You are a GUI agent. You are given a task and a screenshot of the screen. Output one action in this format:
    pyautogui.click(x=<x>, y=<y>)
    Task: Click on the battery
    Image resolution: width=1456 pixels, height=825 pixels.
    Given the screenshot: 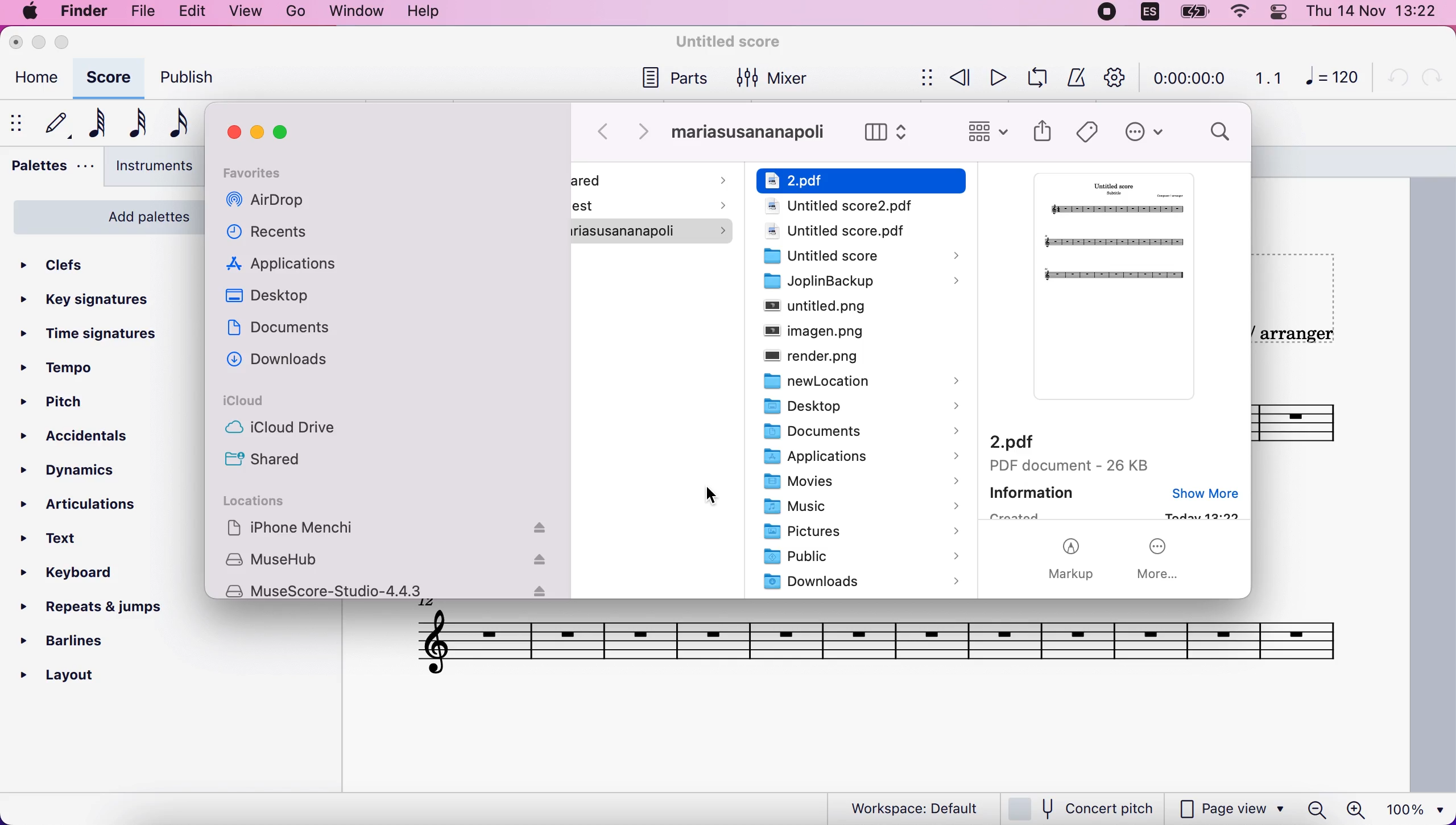 What is the action you would take?
    pyautogui.click(x=1192, y=13)
    